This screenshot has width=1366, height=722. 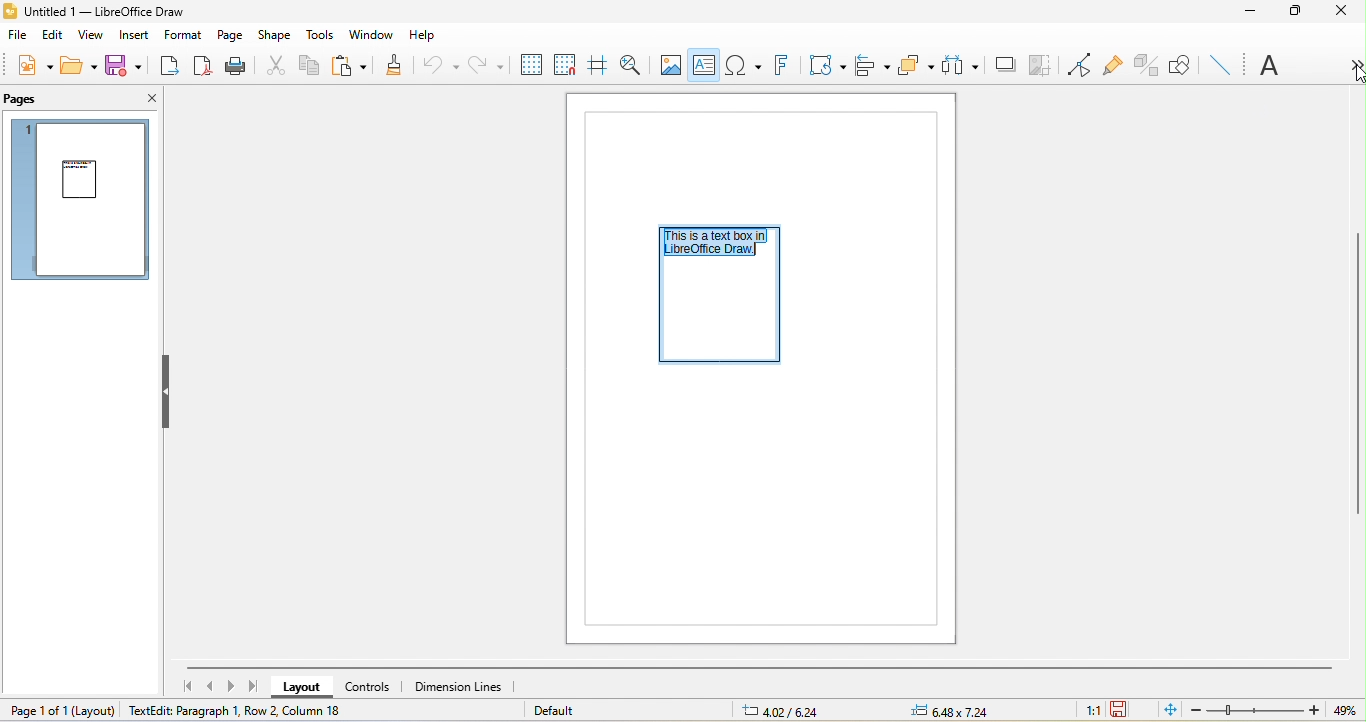 I want to click on image, so click(x=672, y=63).